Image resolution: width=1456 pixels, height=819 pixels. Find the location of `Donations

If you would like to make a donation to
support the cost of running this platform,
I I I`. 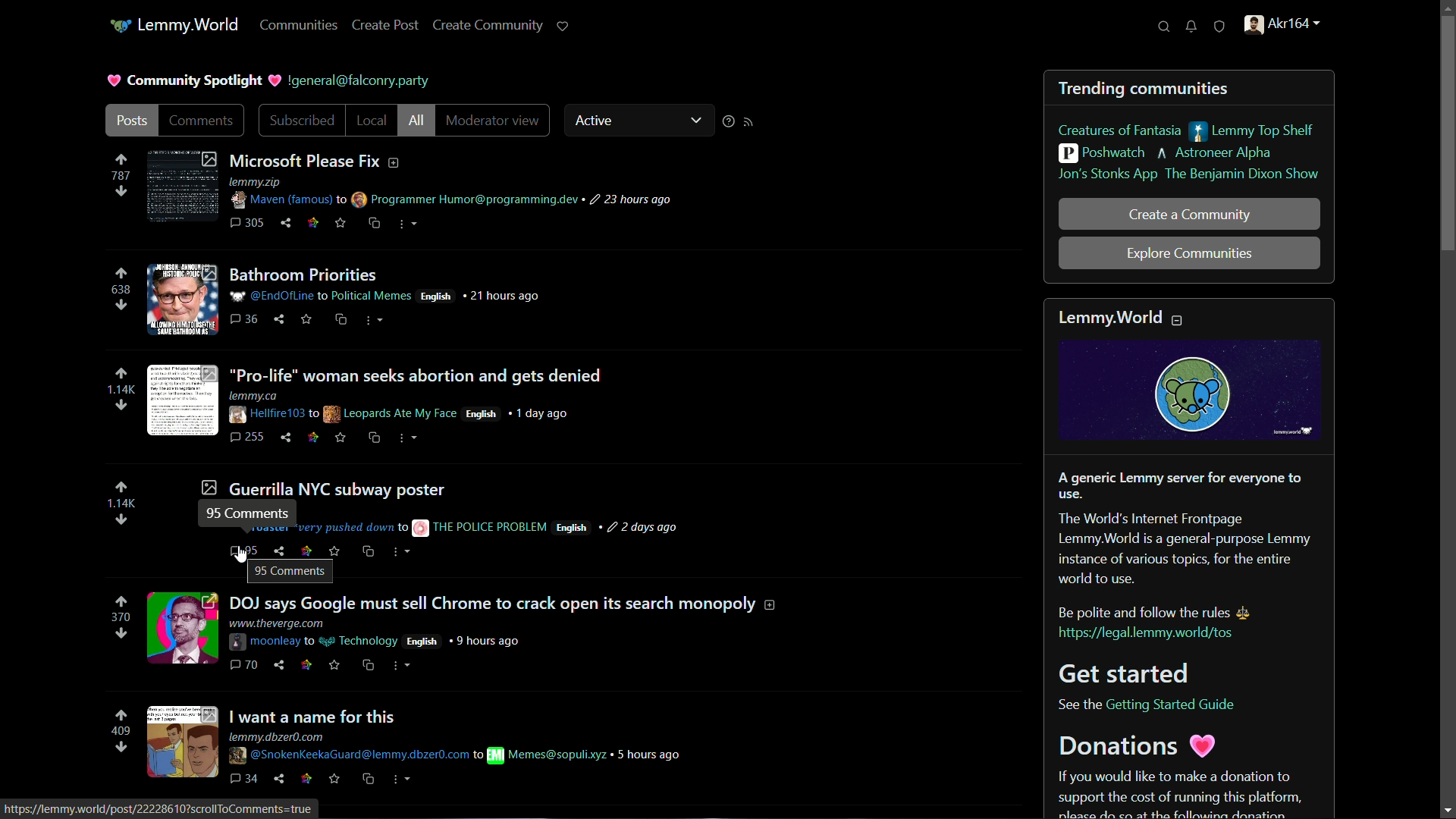

Donations

If you would like to make a donation to
support the cost of running this platform,
I I I is located at coordinates (1175, 777).